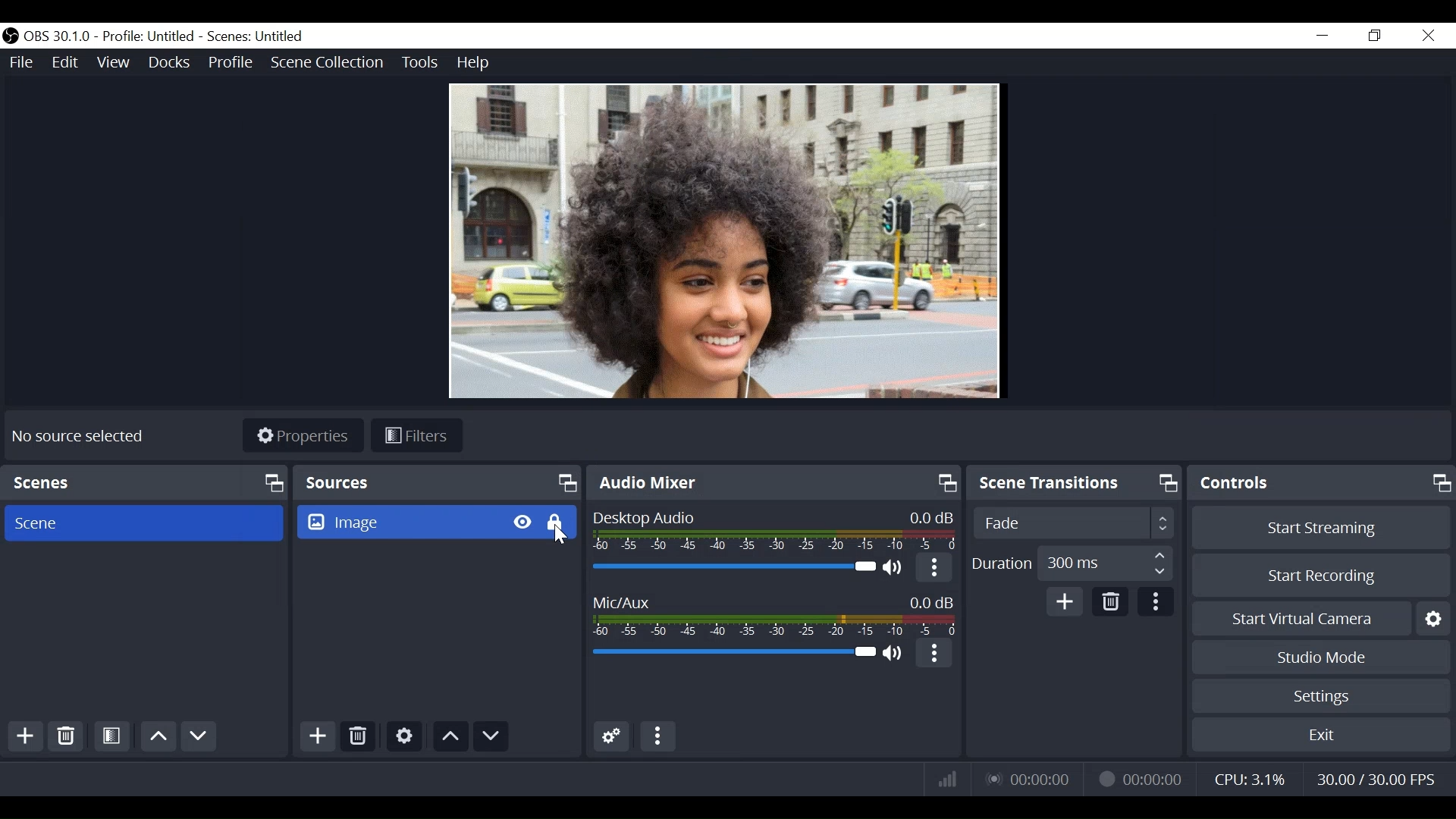 Image resolution: width=1456 pixels, height=819 pixels. I want to click on Fade, so click(1073, 523).